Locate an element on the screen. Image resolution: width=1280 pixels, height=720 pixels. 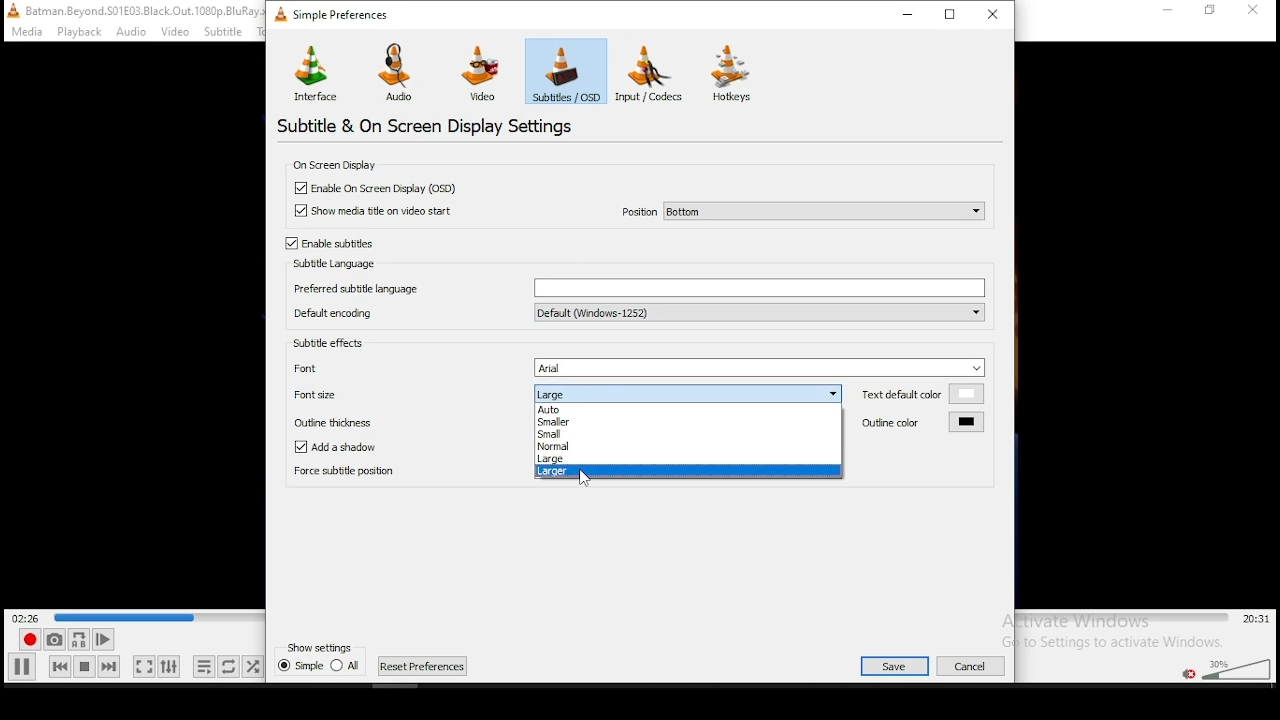
font Arial is located at coordinates (634, 367).